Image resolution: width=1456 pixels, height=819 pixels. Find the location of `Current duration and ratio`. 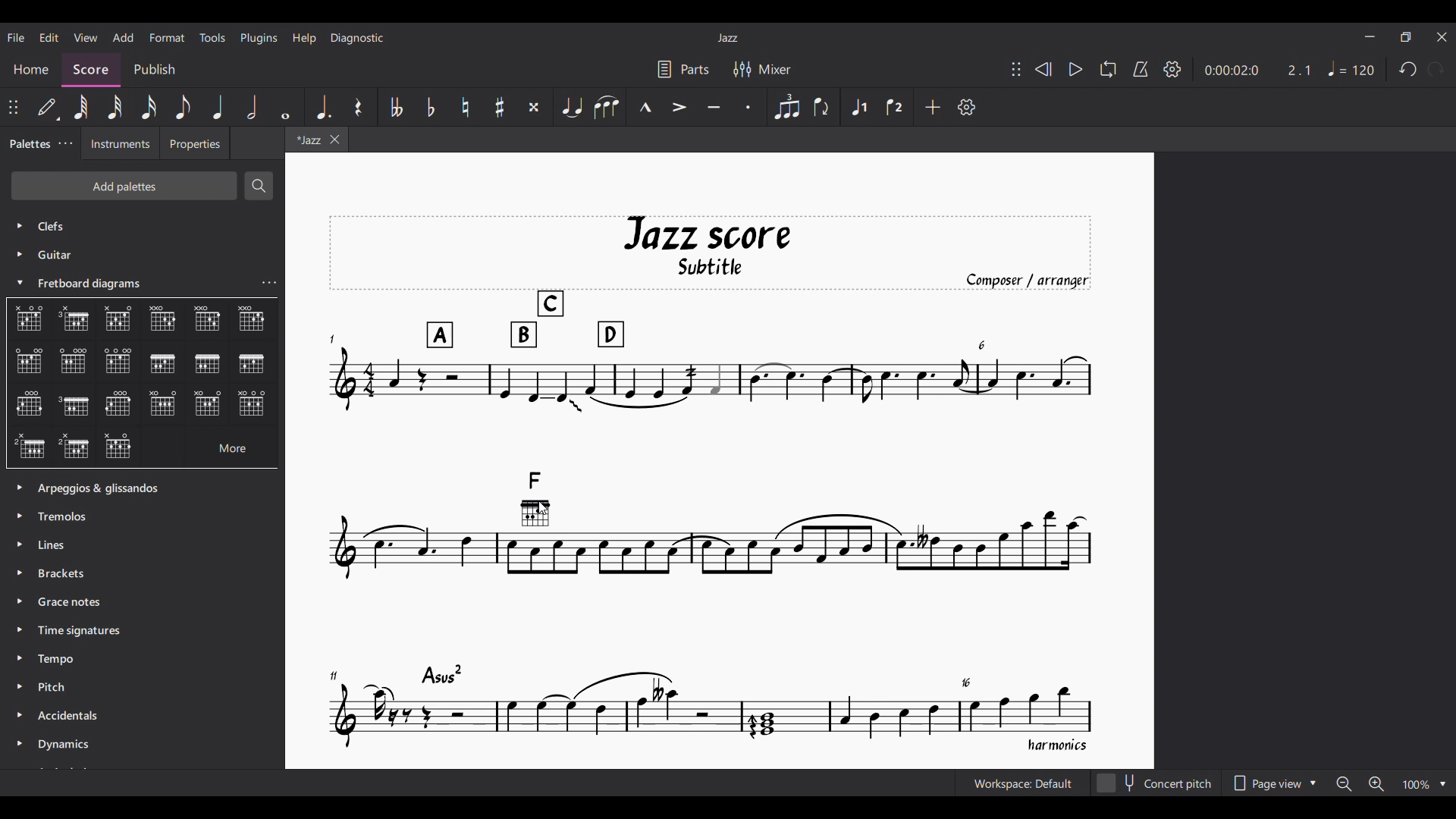

Current duration and ratio is located at coordinates (1258, 71).